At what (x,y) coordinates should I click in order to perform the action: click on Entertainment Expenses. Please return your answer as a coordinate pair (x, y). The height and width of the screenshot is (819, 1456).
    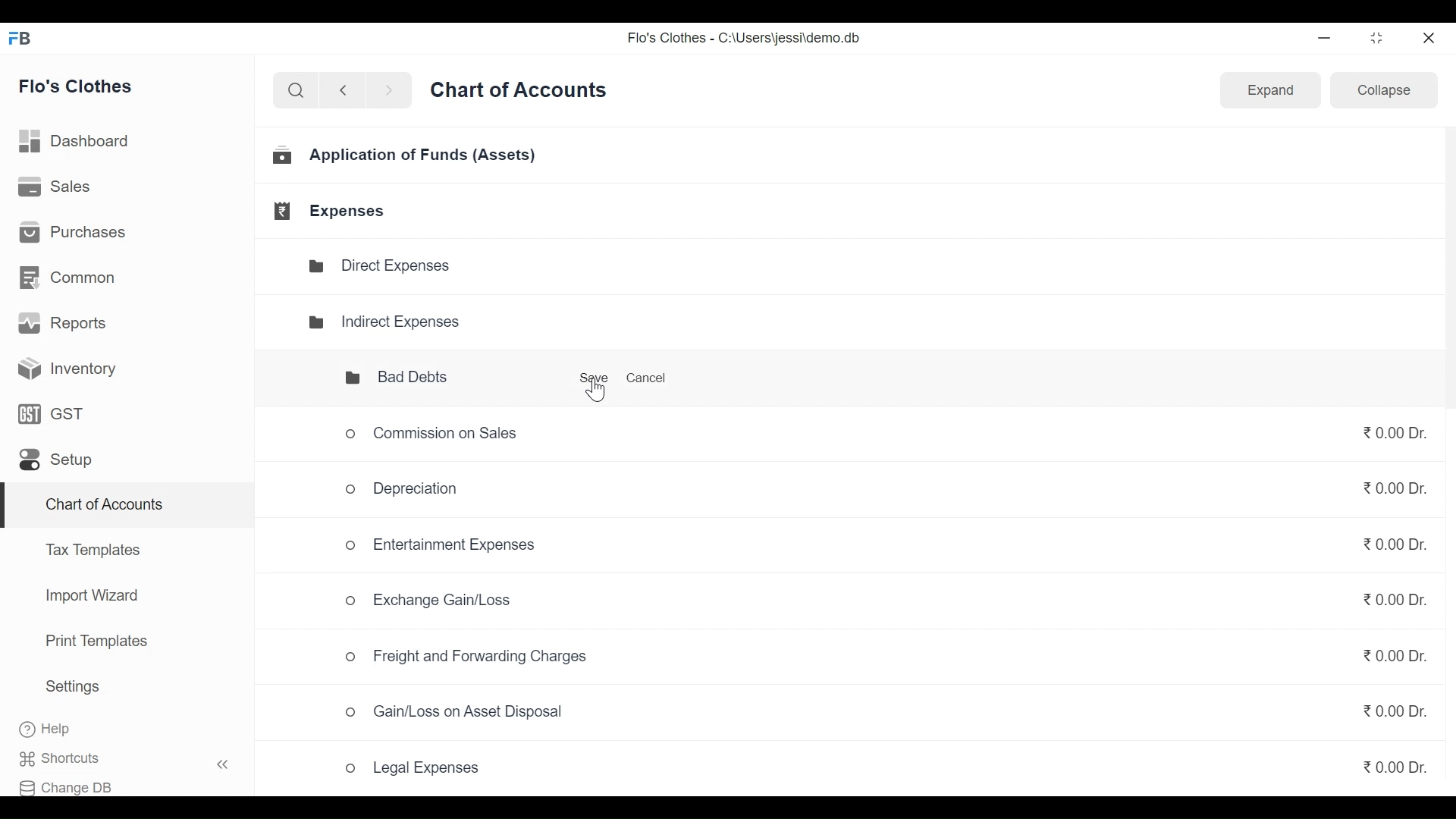
    Looking at the image, I should click on (441, 549).